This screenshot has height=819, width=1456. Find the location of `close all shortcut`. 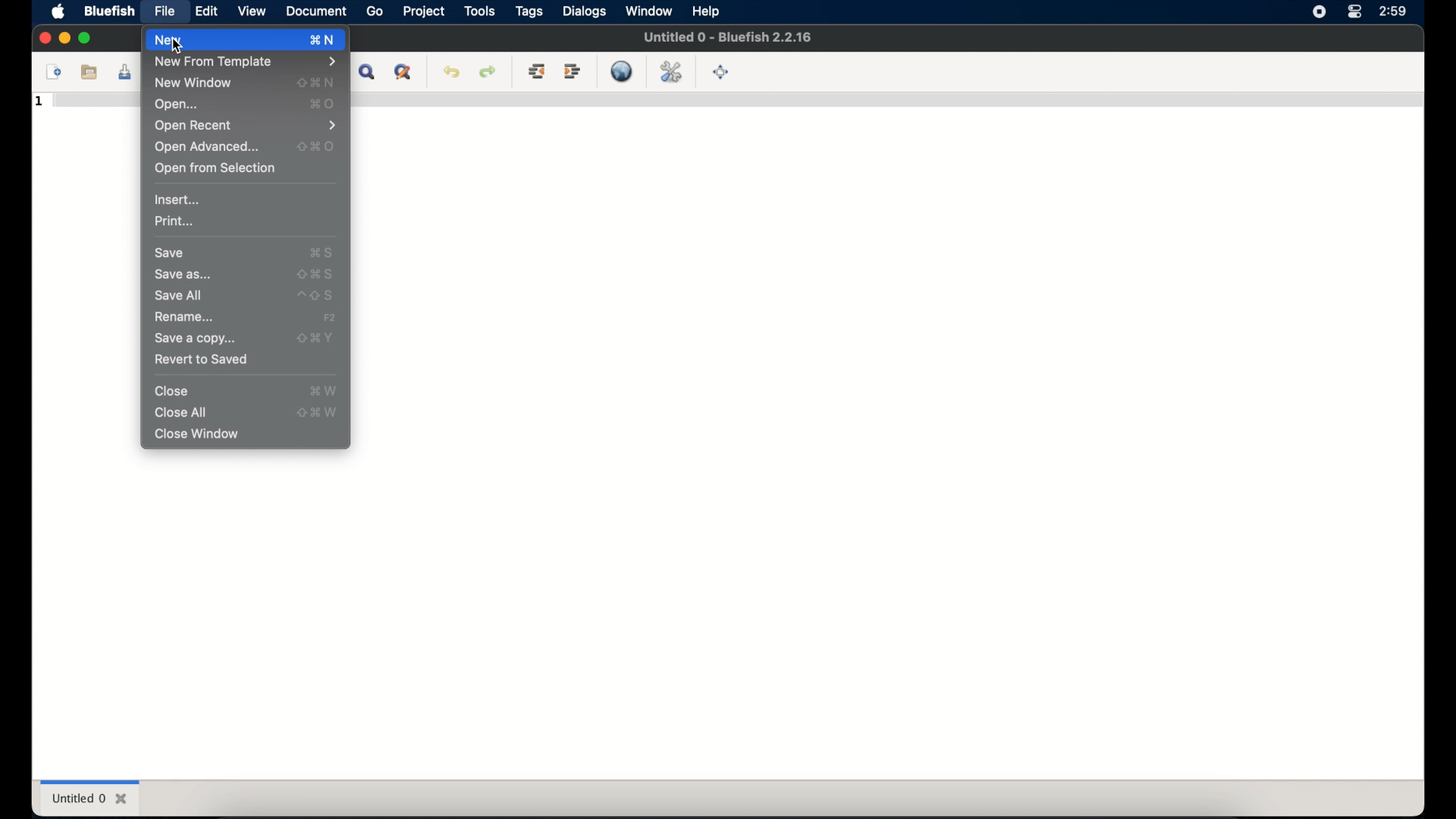

close all shortcut is located at coordinates (318, 413).